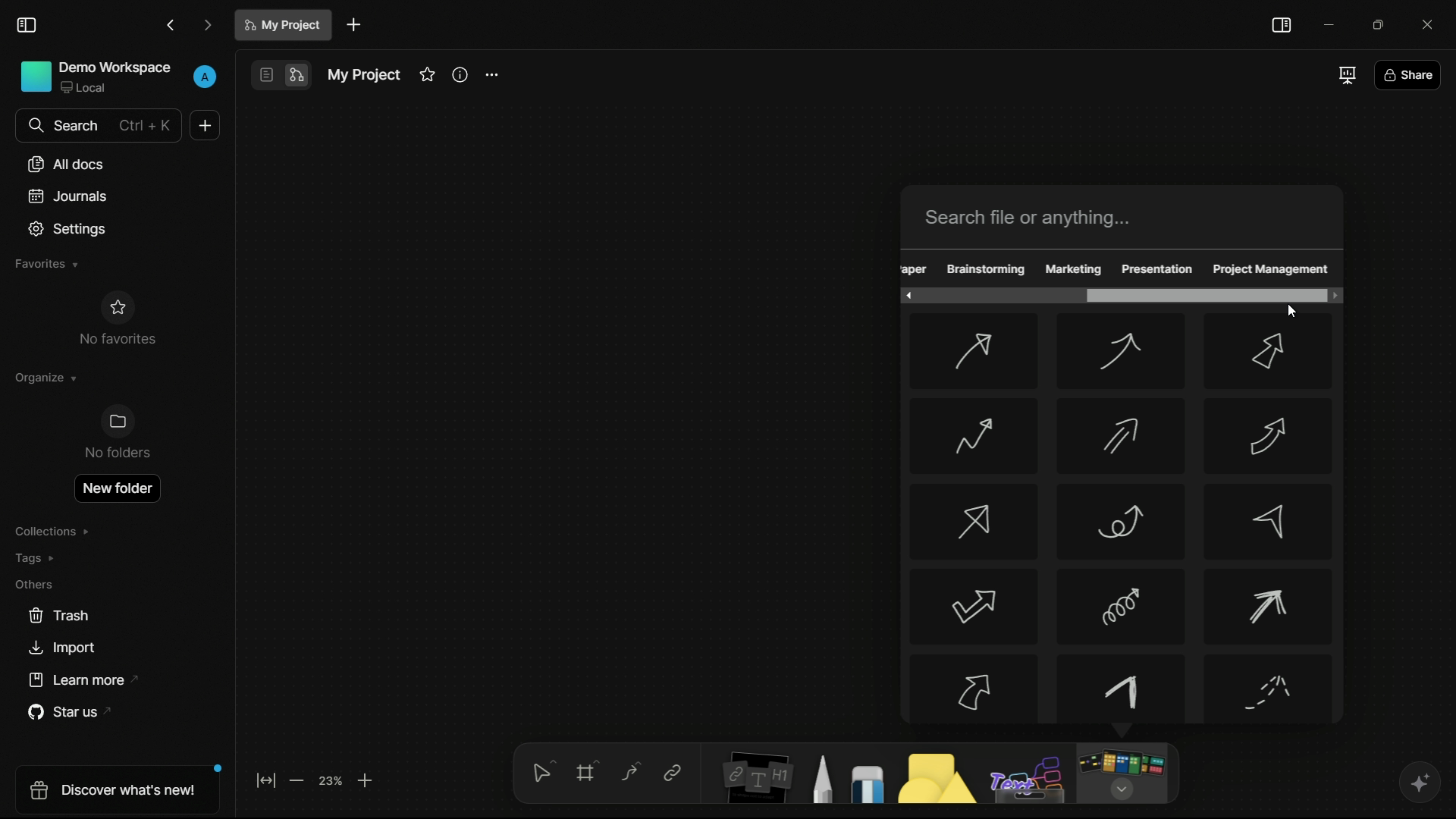  Describe the element at coordinates (589, 770) in the screenshot. I see `frames` at that location.